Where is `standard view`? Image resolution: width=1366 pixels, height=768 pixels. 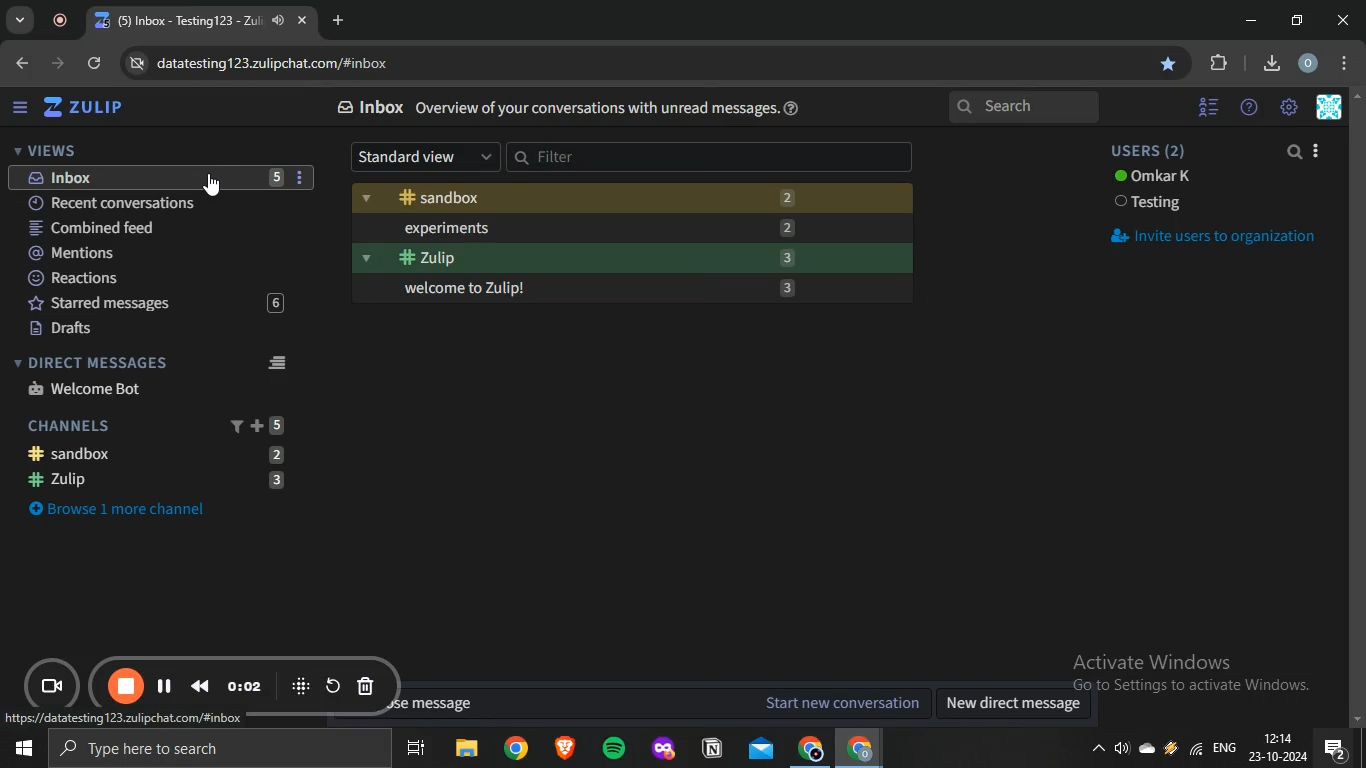
standard view is located at coordinates (425, 157).